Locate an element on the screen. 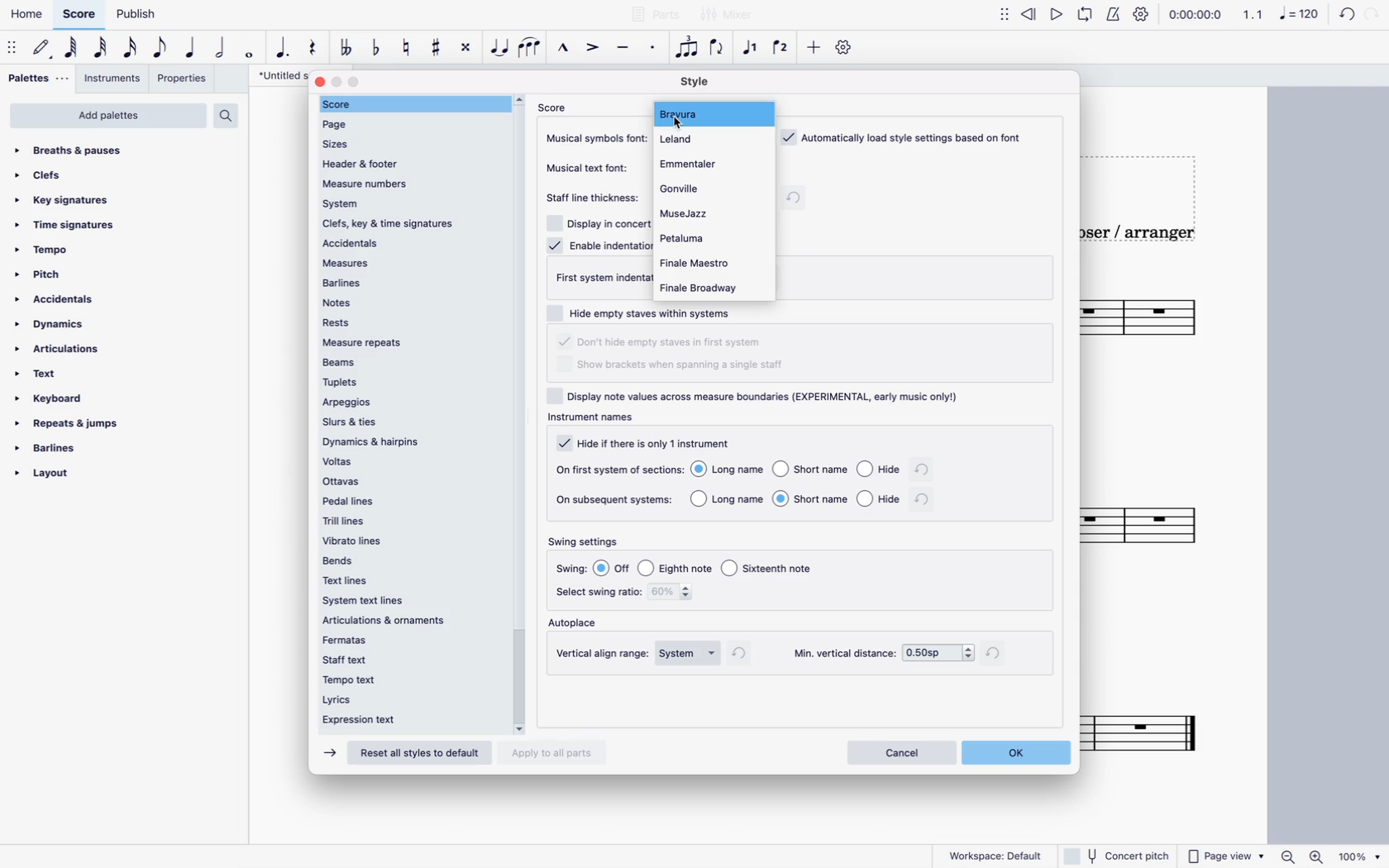 This screenshot has width=1389, height=868.  is located at coordinates (1119, 855).